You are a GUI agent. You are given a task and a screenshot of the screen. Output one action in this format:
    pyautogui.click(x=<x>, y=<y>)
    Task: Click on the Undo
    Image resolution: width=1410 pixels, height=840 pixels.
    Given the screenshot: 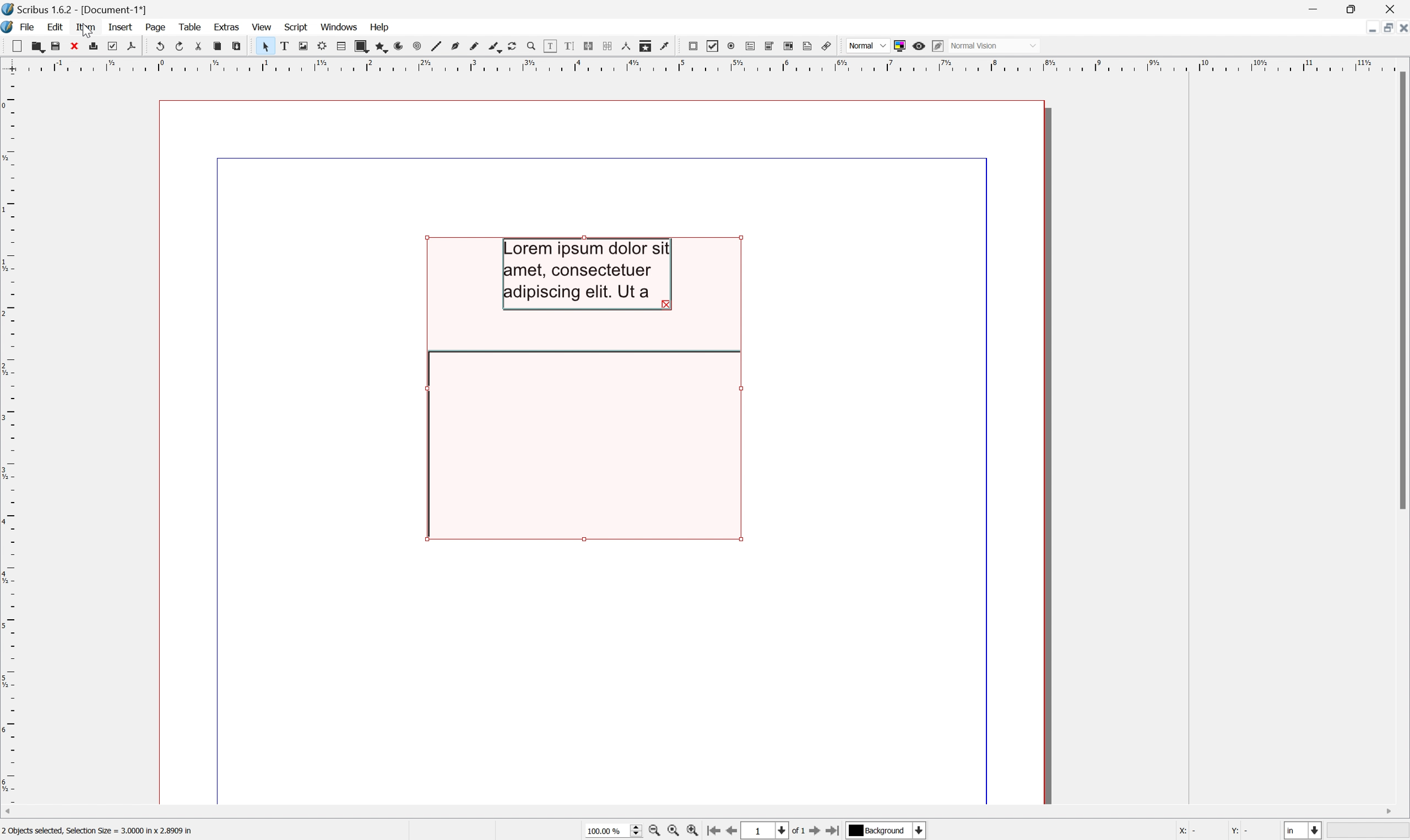 What is the action you would take?
    pyautogui.click(x=156, y=46)
    